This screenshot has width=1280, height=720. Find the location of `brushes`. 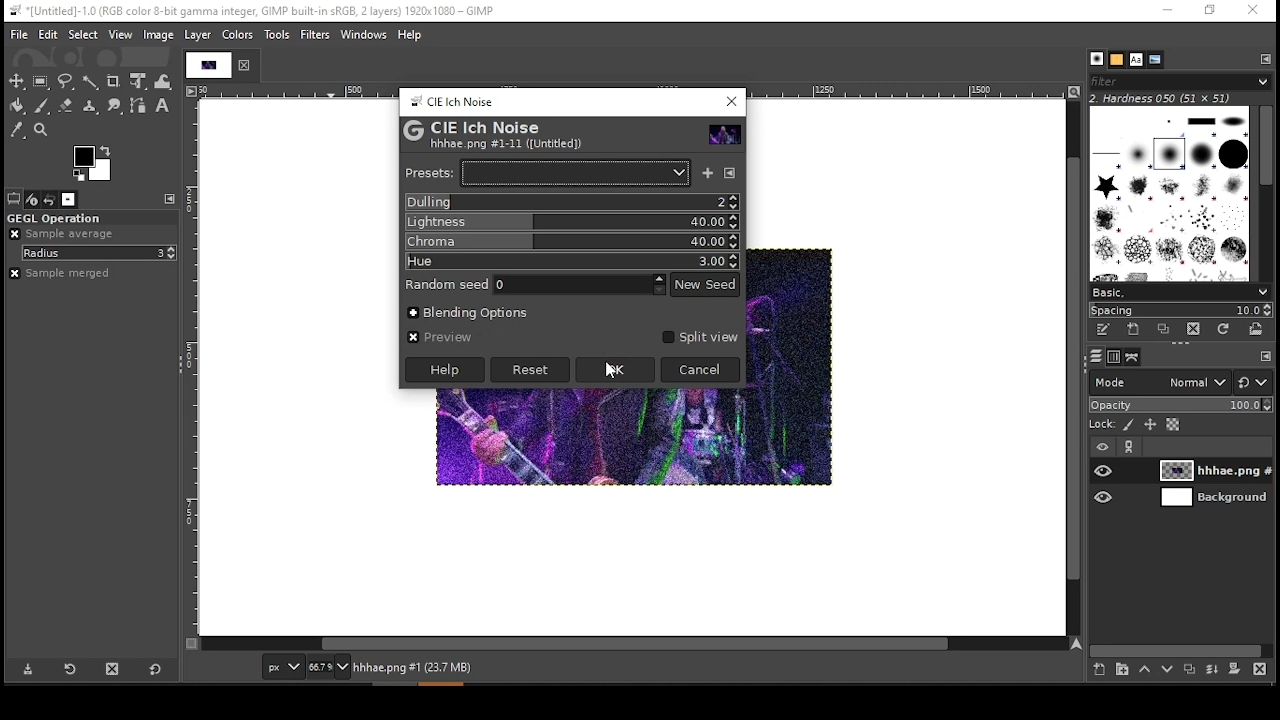

brushes is located at coordinates (1098, 59).